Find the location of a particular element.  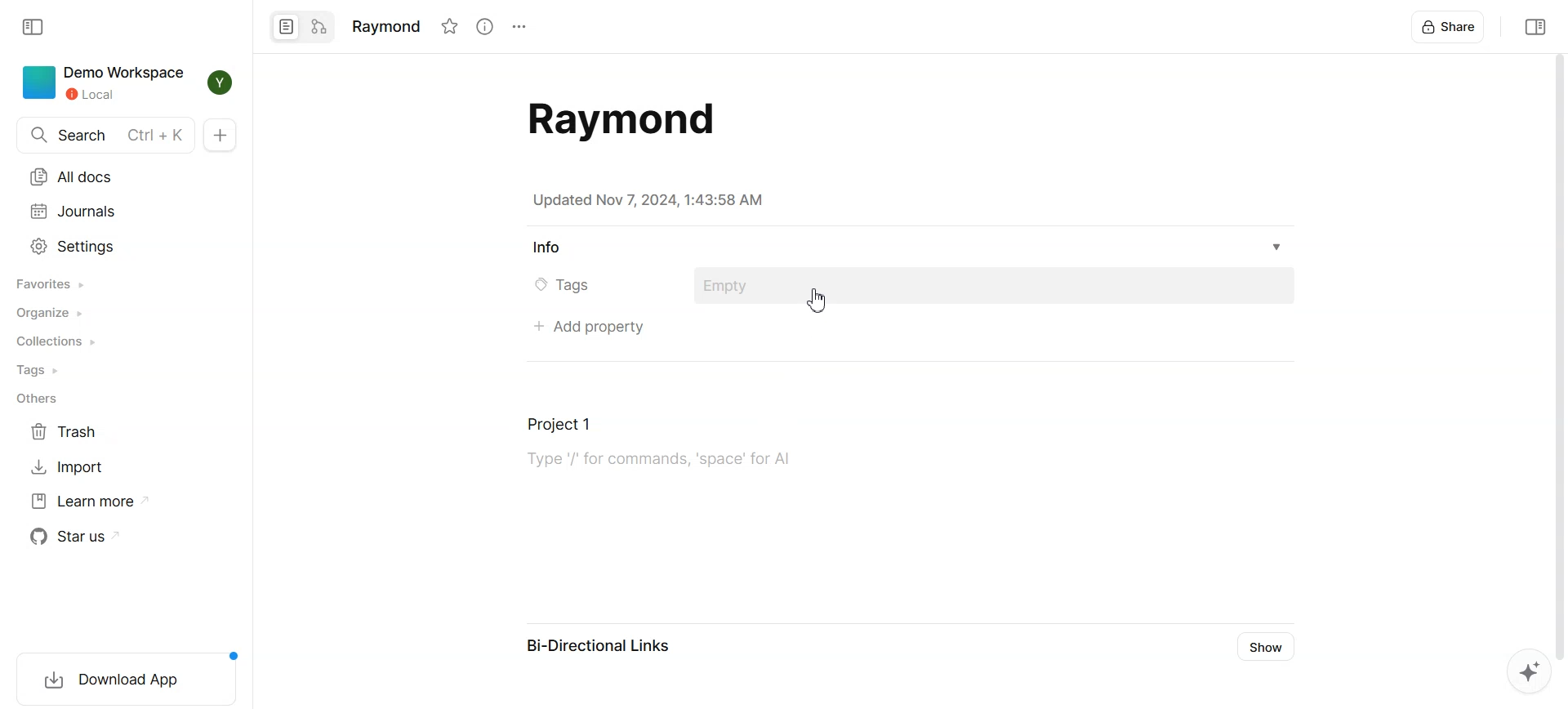

New doc is located at coordinates (220, 135).